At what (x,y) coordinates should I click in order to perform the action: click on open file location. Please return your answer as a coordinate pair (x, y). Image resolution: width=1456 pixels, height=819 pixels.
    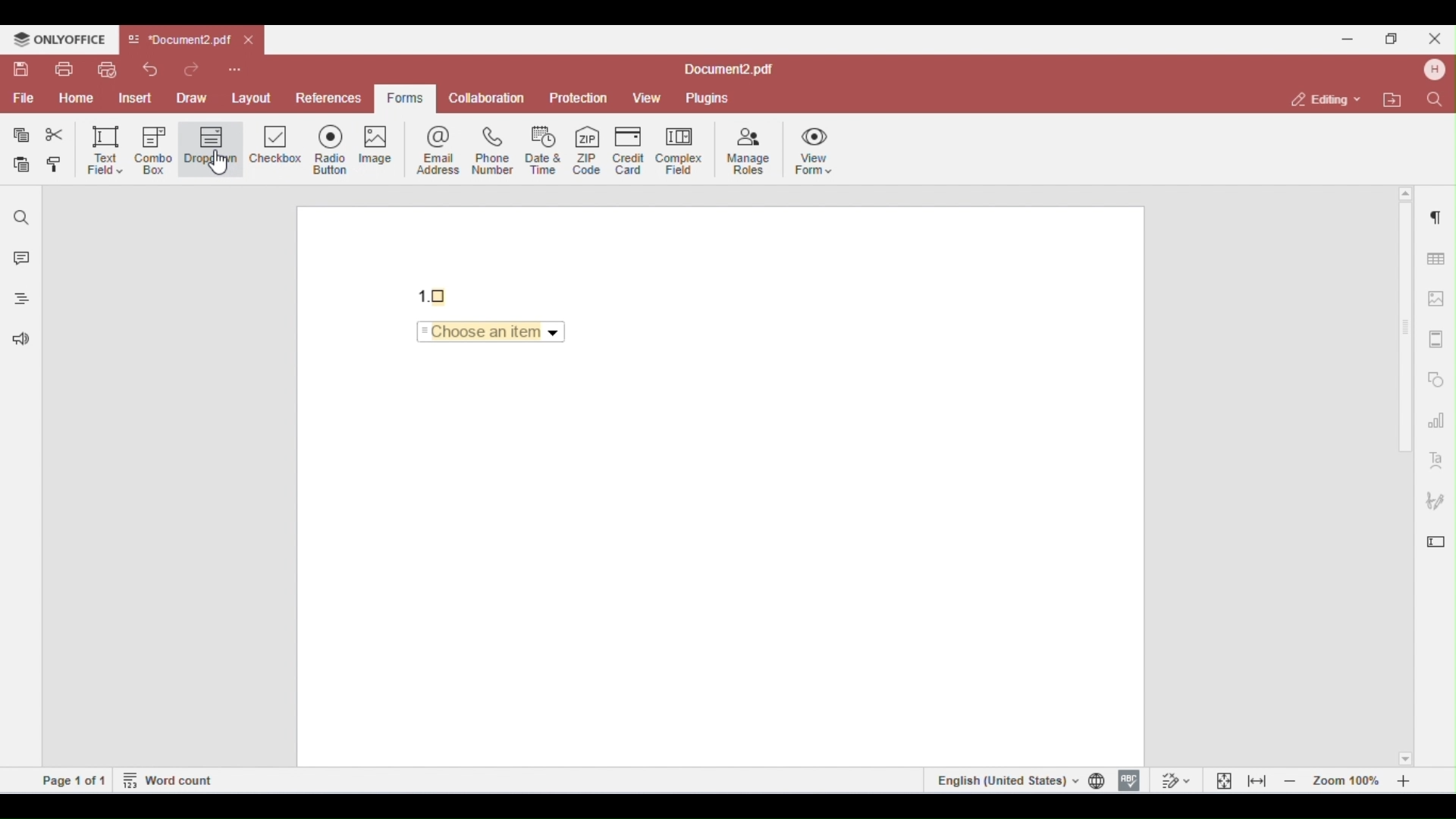
    Looking at the image, I should click on (1395, 101).